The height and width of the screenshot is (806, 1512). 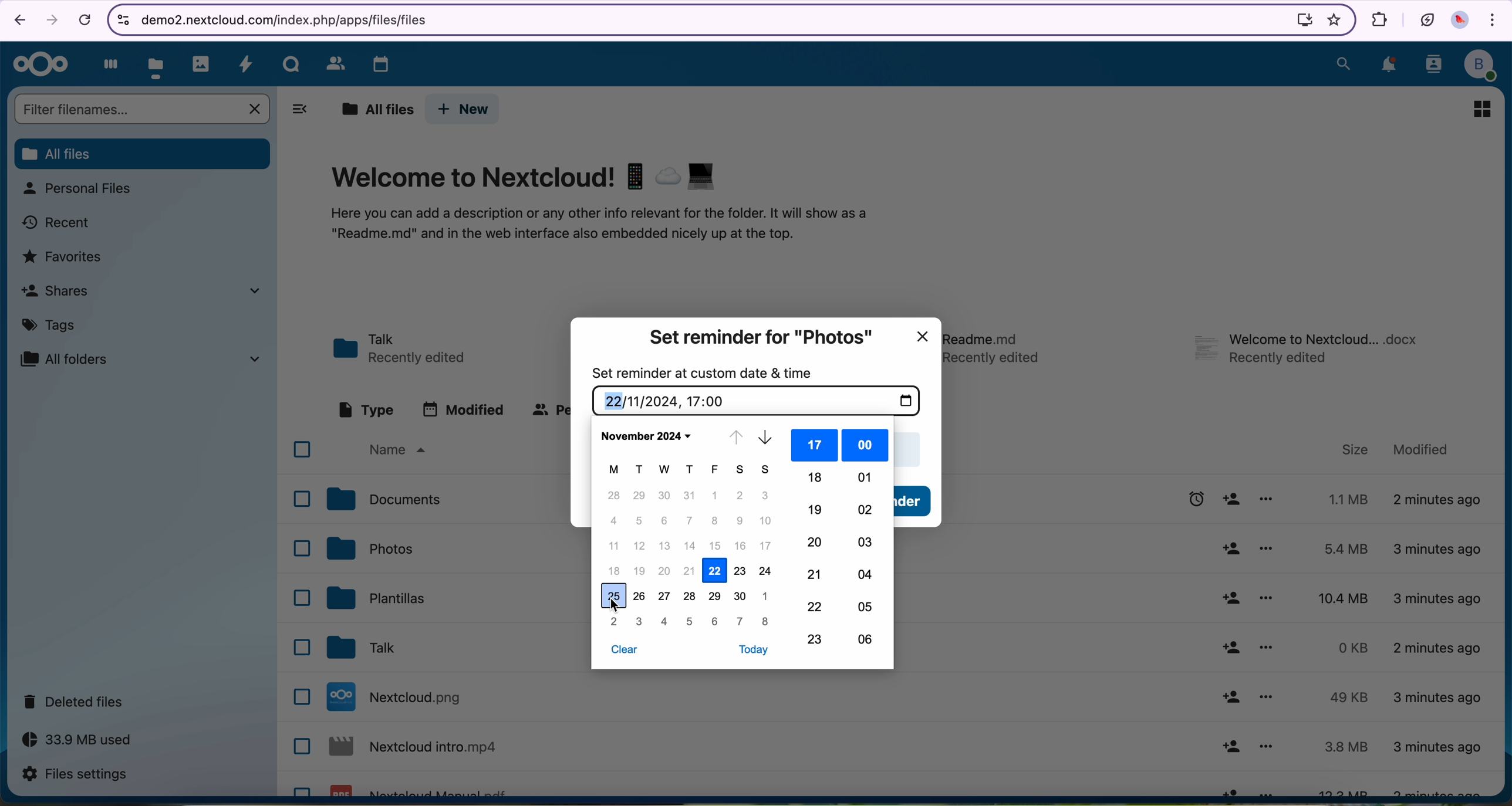 What do you see at coordinates (49, 327) in the screenshot?
I see `tags` at bounding box center [49, 327].